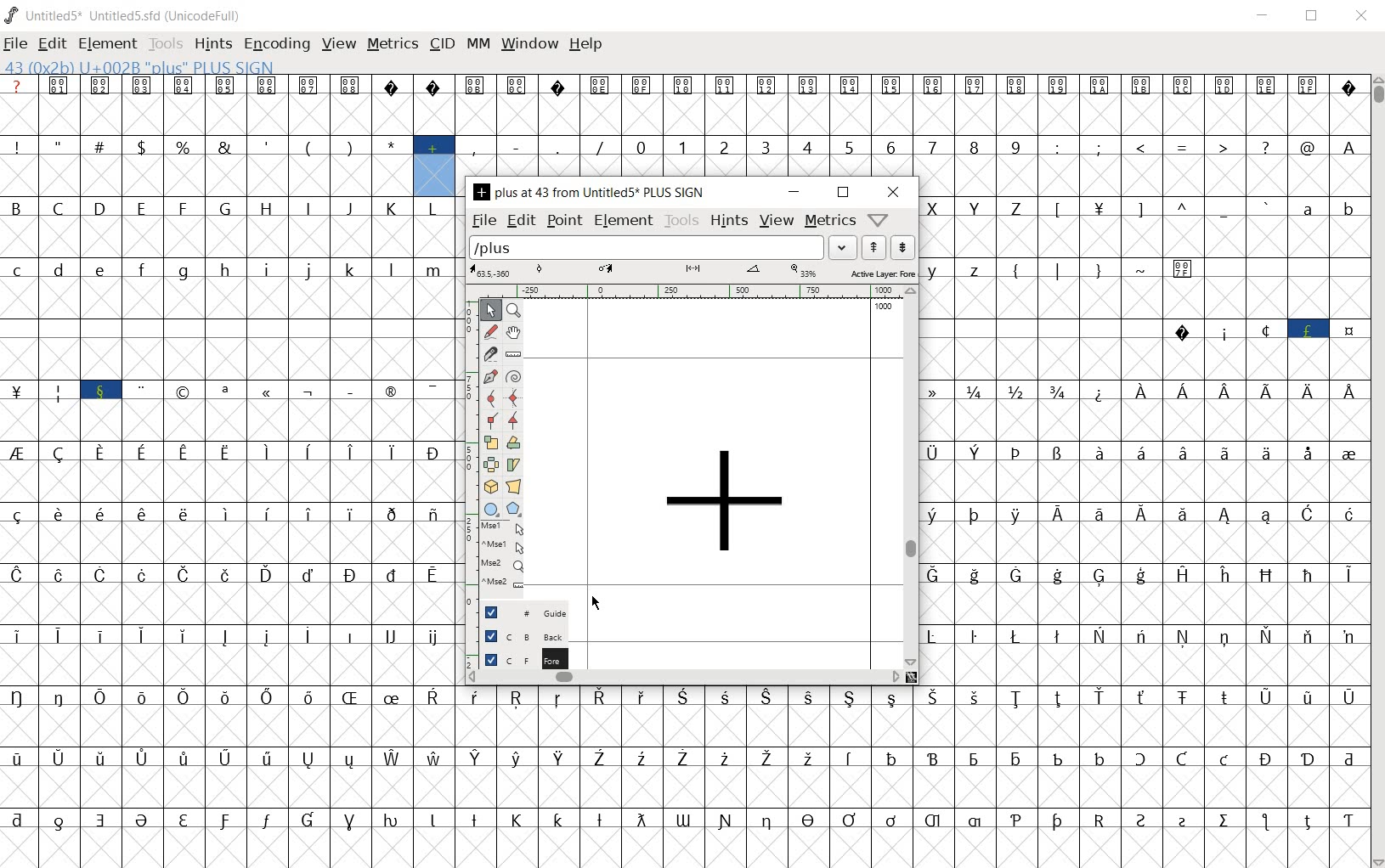 This screenshot has height=868, width=1385. Describe the element at coordinates (1100, 288) in the screenshot. I see `special characters` at that location.